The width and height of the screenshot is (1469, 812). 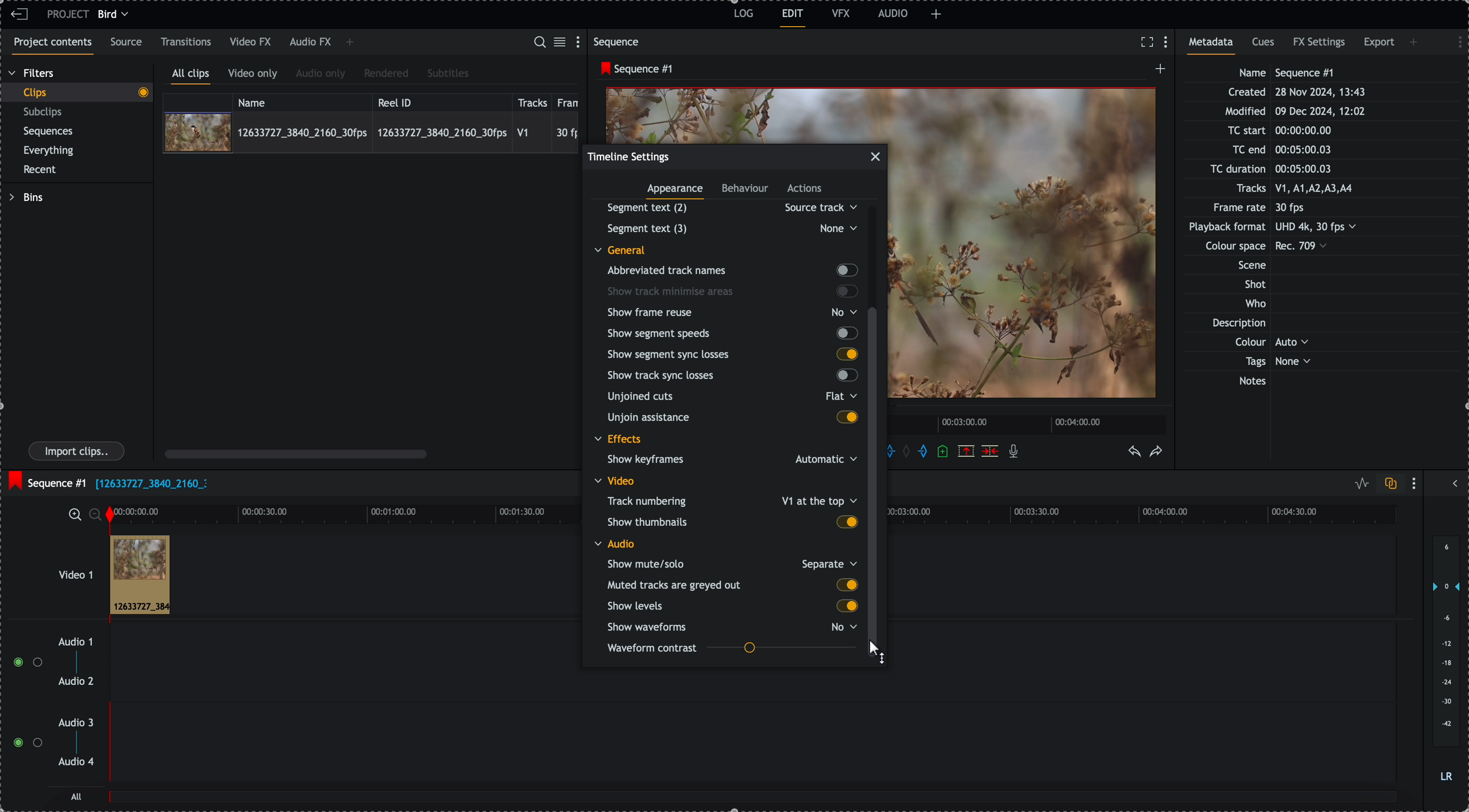 What do you see at coordinates (730, 228) in the screenshot?
I see `` at bounding box center [730, 228].